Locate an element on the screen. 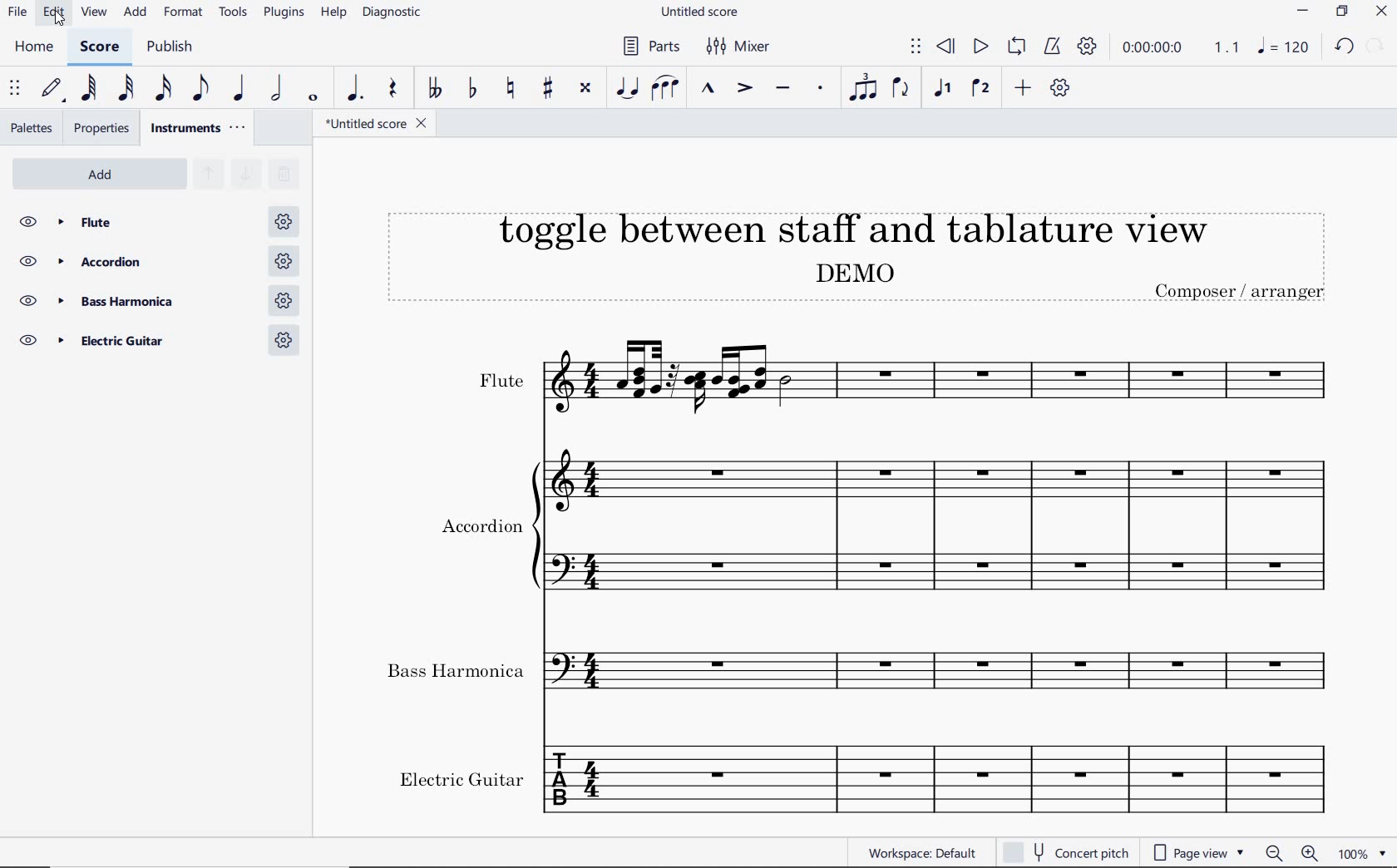 This screenshot has height=868, width=1397. page view is located at coordinates (1199, 852).